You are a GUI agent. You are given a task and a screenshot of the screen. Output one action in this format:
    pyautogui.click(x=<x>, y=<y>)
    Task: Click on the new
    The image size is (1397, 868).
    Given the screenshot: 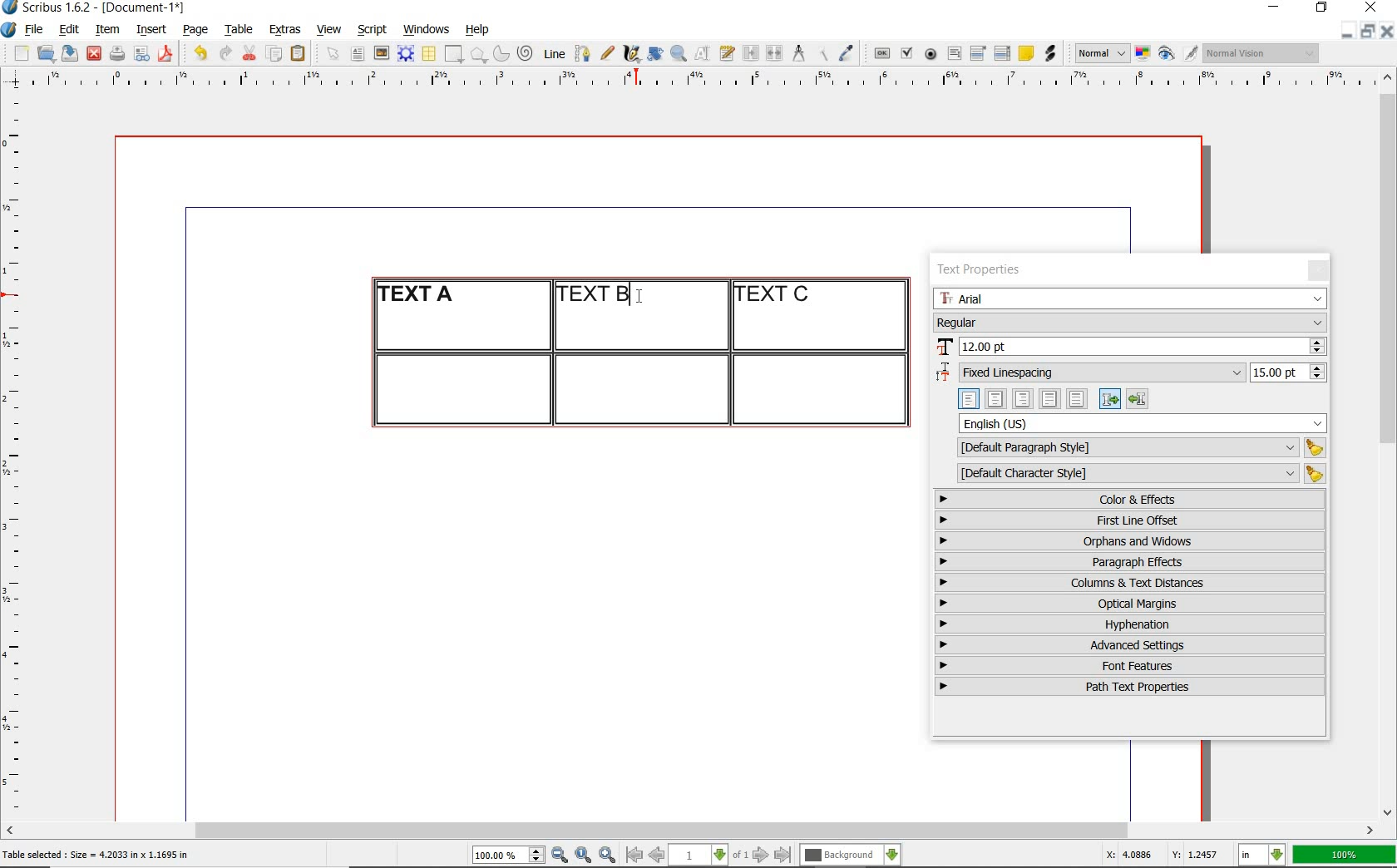 What is the action you would take?
    pyautogui.click(x=19, y=53)
    